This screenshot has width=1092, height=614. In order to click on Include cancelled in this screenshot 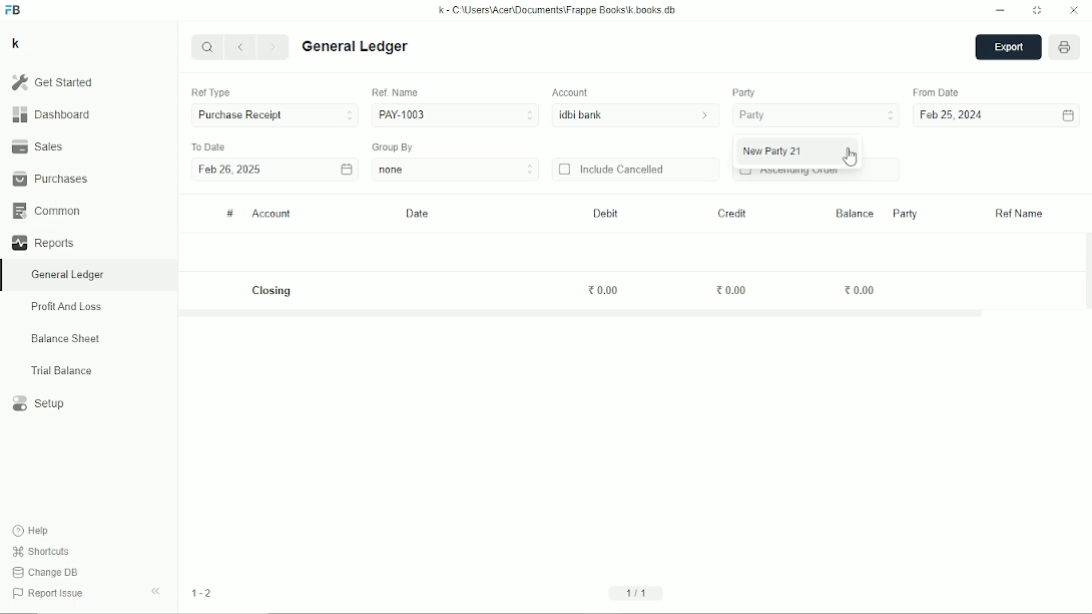, I will do `click(611, 169)`.